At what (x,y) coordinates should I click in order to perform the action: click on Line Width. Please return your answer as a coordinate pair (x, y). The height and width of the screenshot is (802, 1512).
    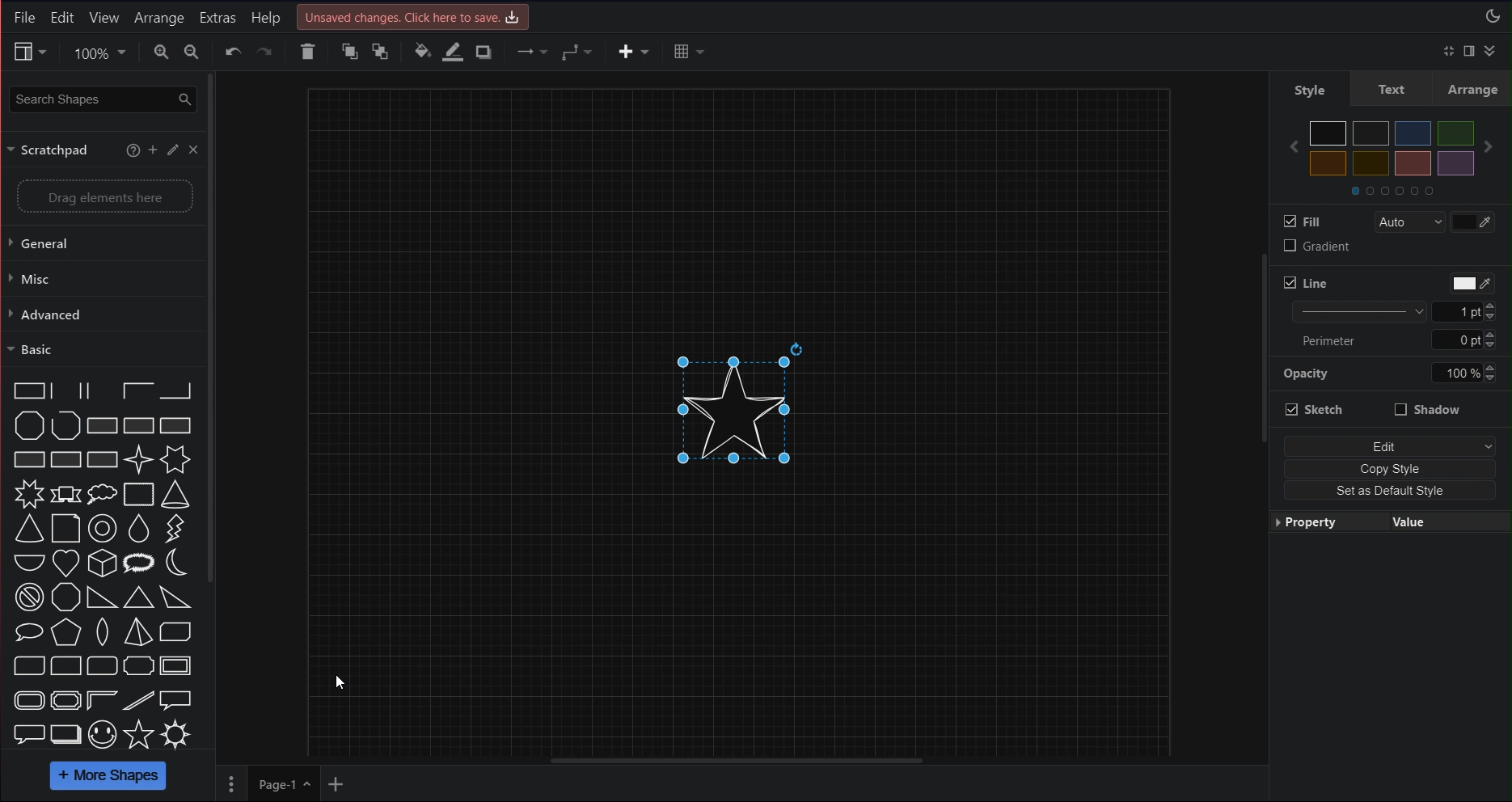
    Looking at the image, I should click on (1394, 311).